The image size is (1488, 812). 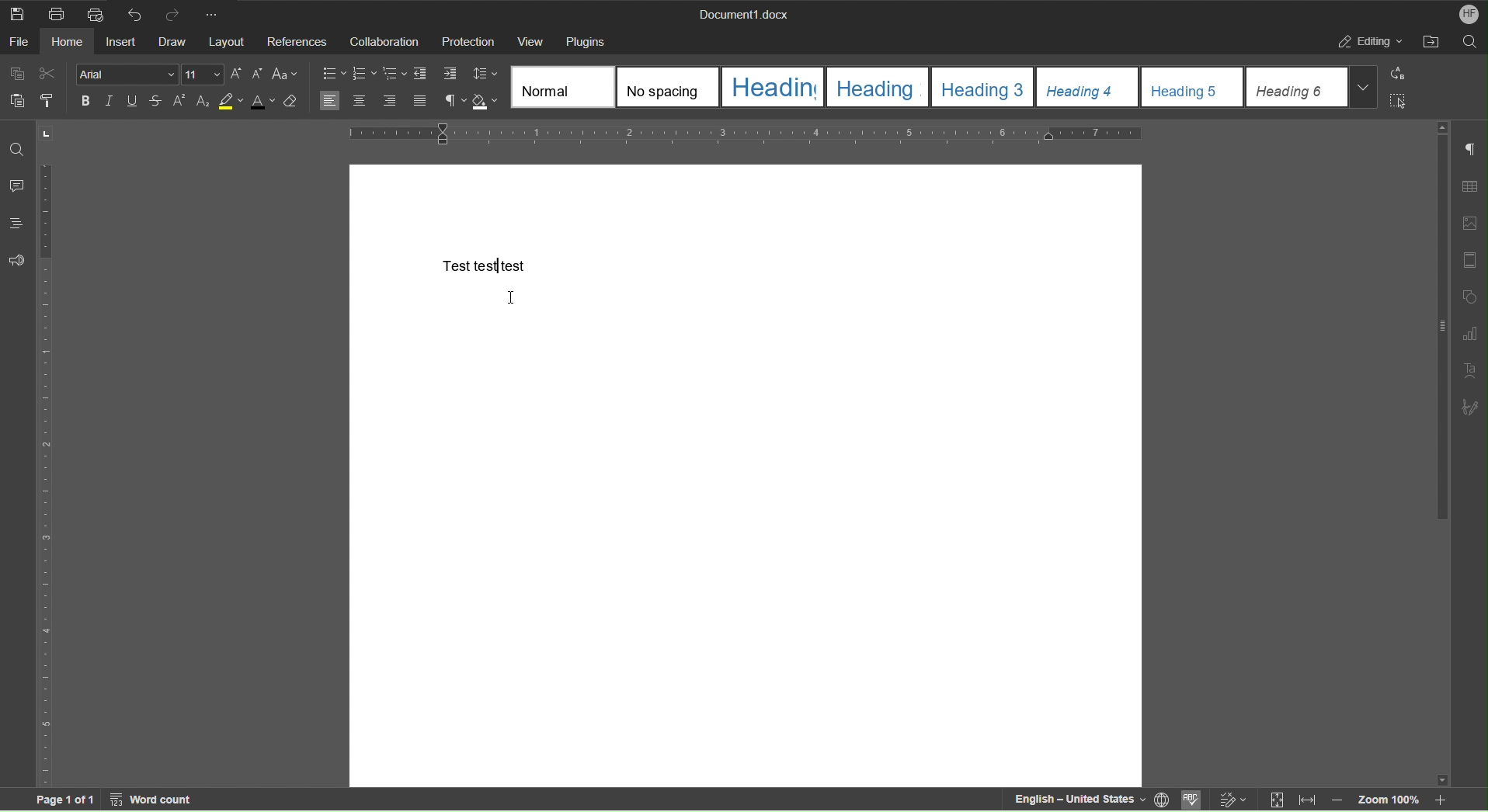 What do you see at coordinates (1469, 40) in the screenshot?
I see `Search` at bounding box center [1469, 40].